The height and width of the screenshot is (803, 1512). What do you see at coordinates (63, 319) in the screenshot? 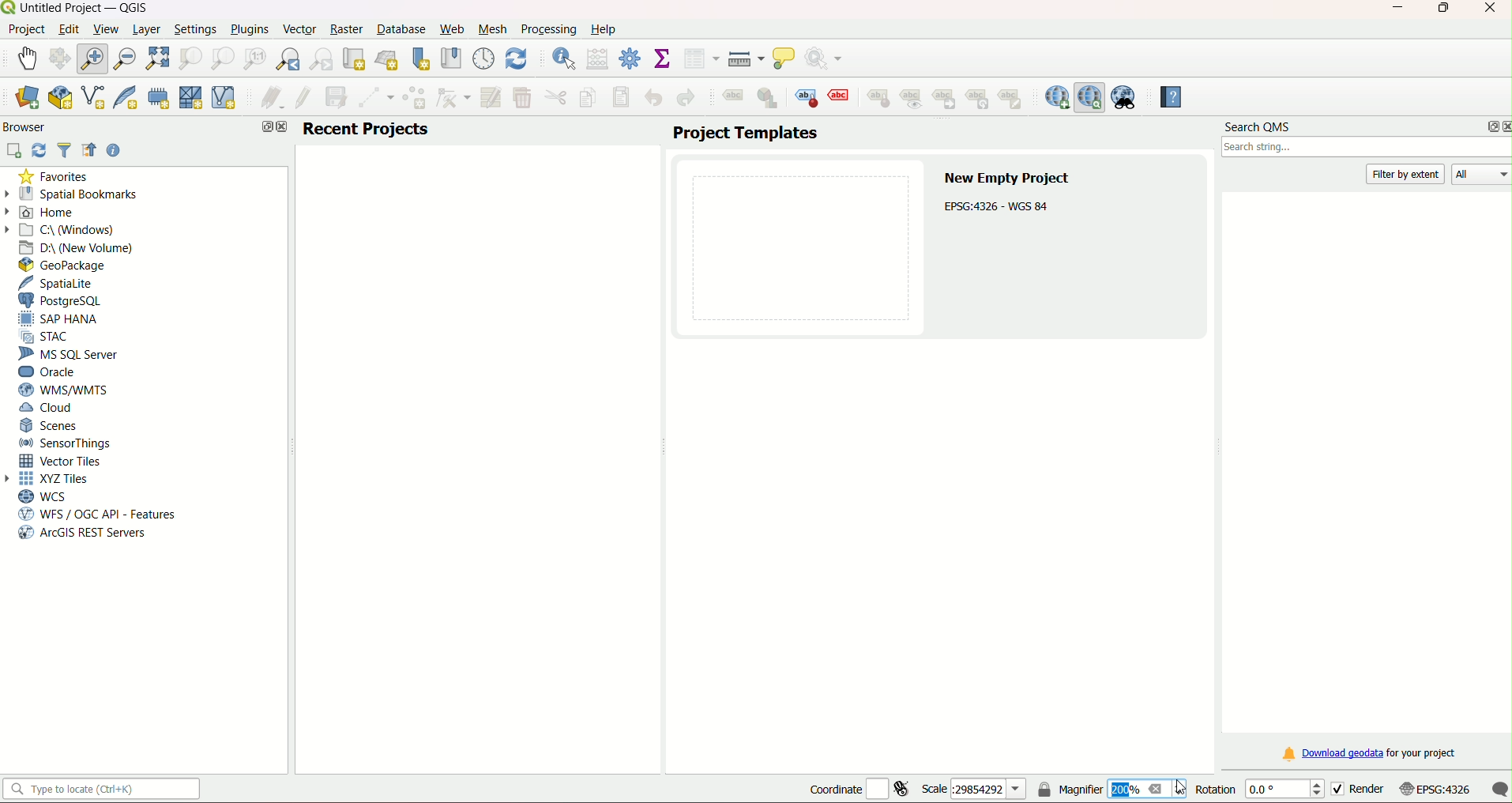
I see `SAP HANA` at bounding box center [63, 319].